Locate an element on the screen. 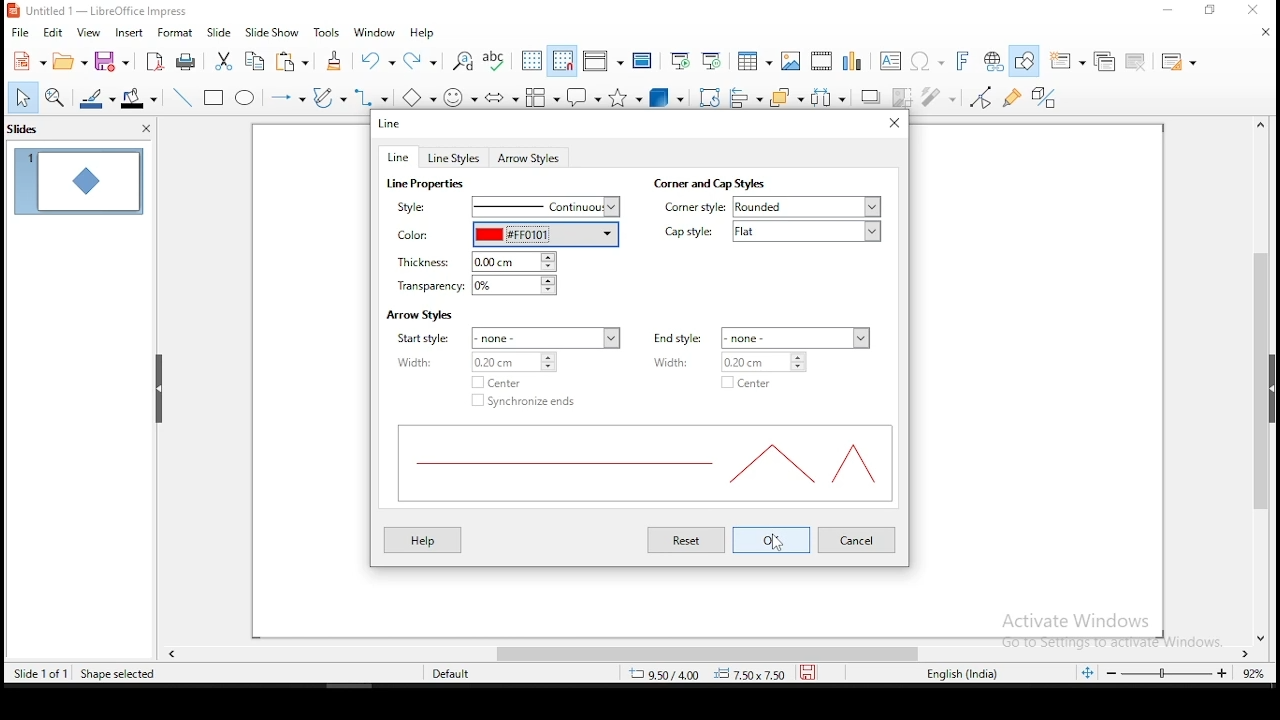 The height and width of the screenshot is (720, 1280). transperancy is located at coordinates (426, 287).